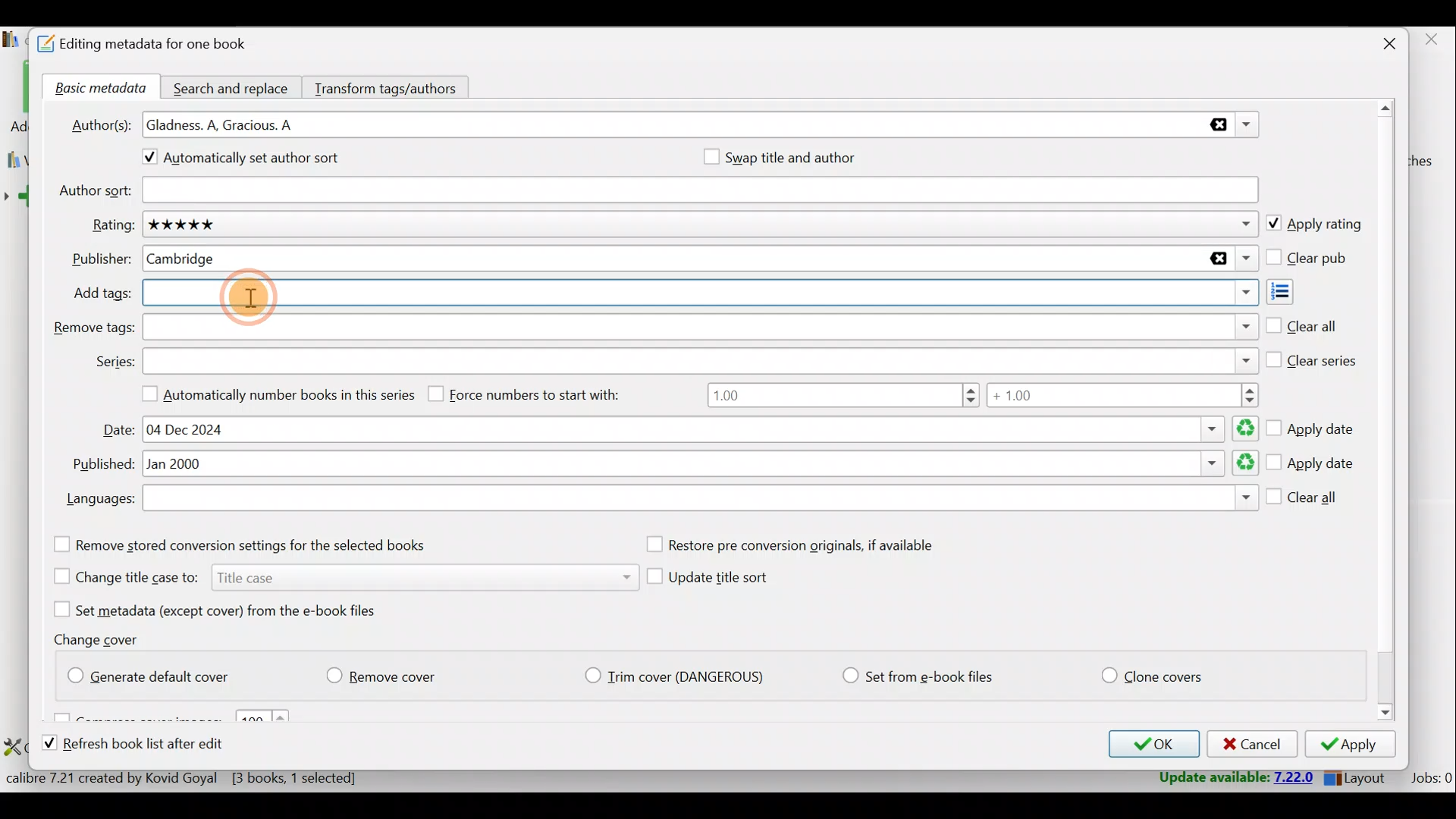 This screenshot has width=1456, height=819. What do you see at coordinates (102, 259) in the screenshot?
I see `Publisher:` at bounding box center [102, 259].